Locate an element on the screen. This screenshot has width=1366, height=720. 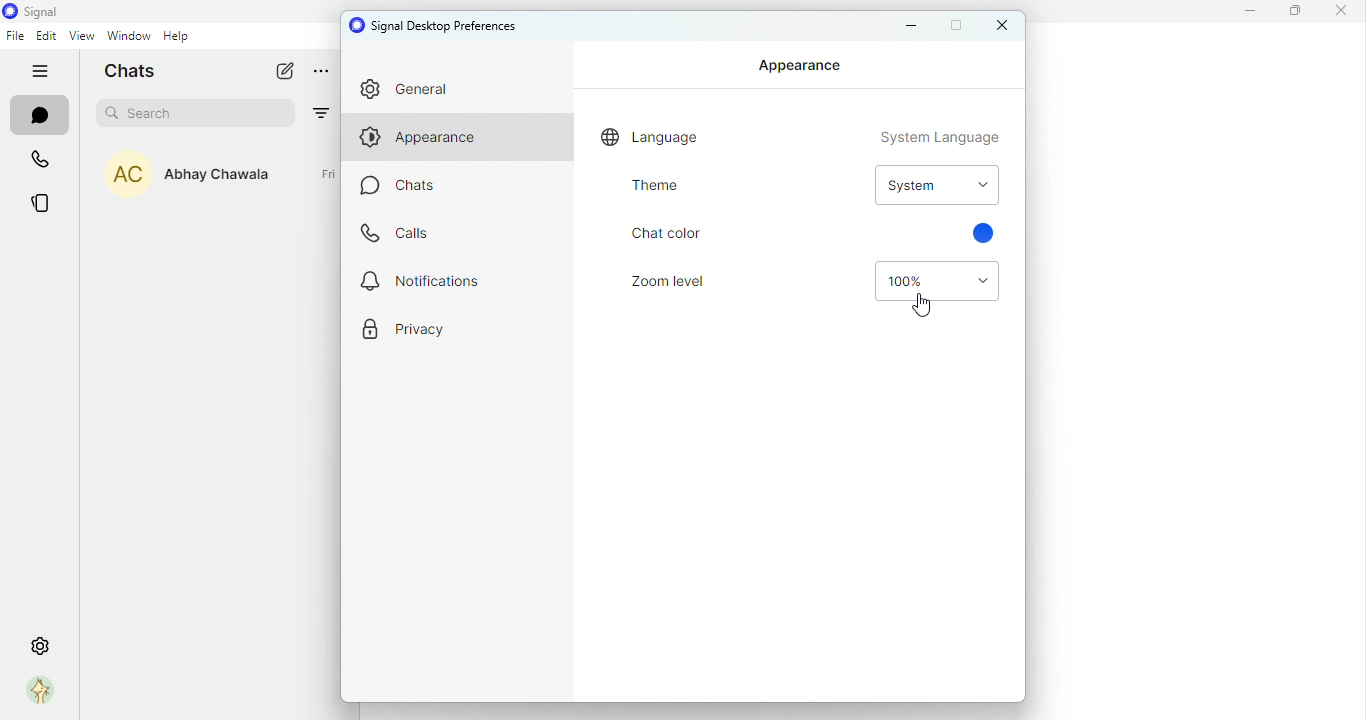
theme is located at coordinates (658, 190).